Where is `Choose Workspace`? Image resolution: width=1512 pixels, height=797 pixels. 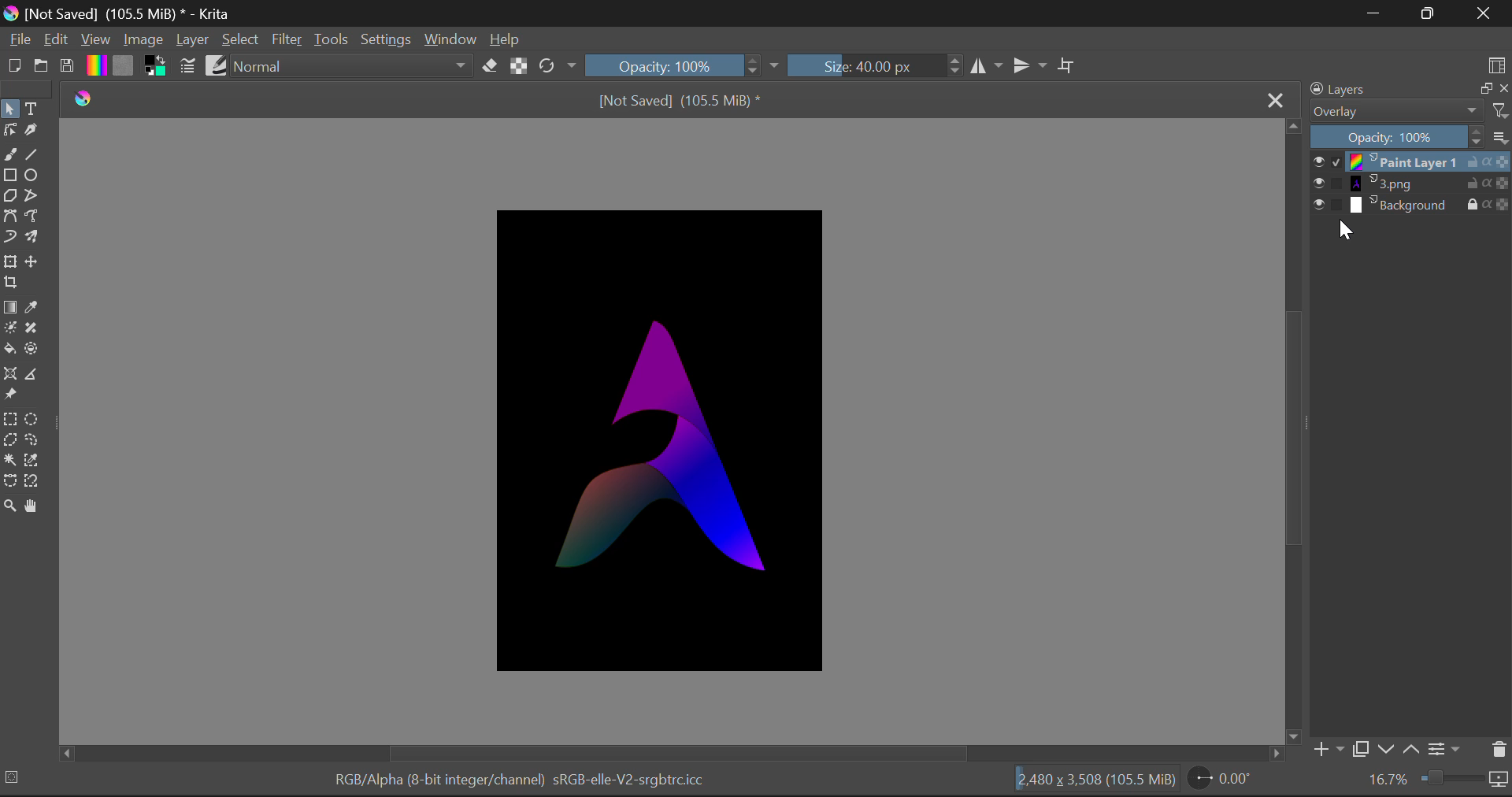 Choose Workspace is located at coordinates (1497, 66).